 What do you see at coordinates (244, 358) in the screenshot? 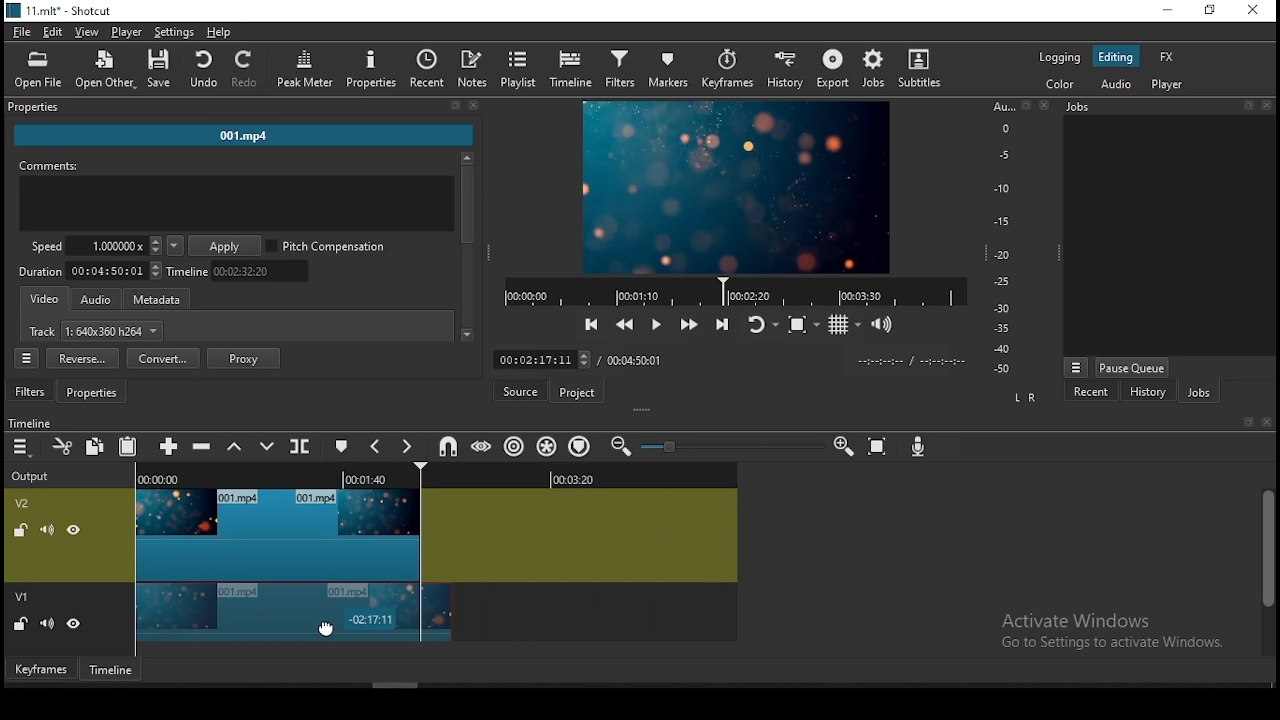
I see `proxy` at bounding box center [244, 358].